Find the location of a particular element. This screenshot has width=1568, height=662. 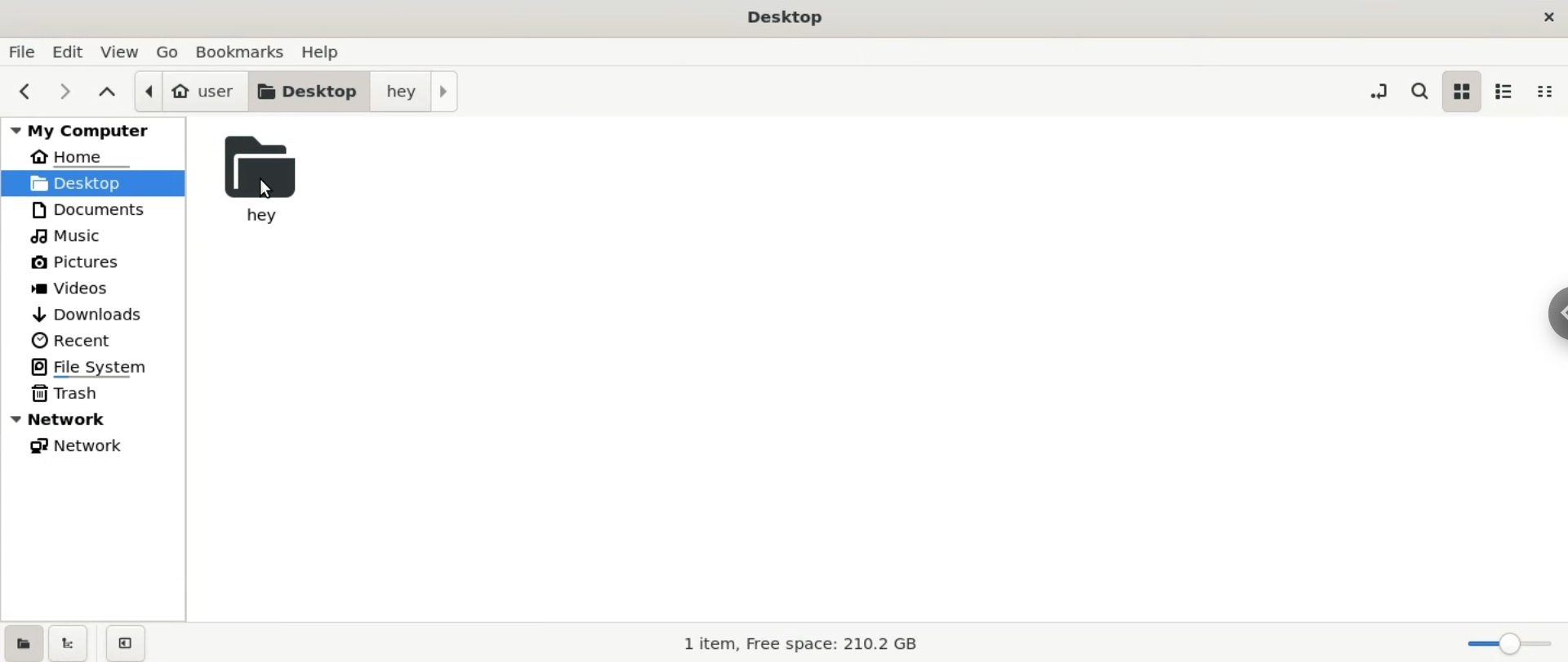

show places is located at coordinates (21, 644).